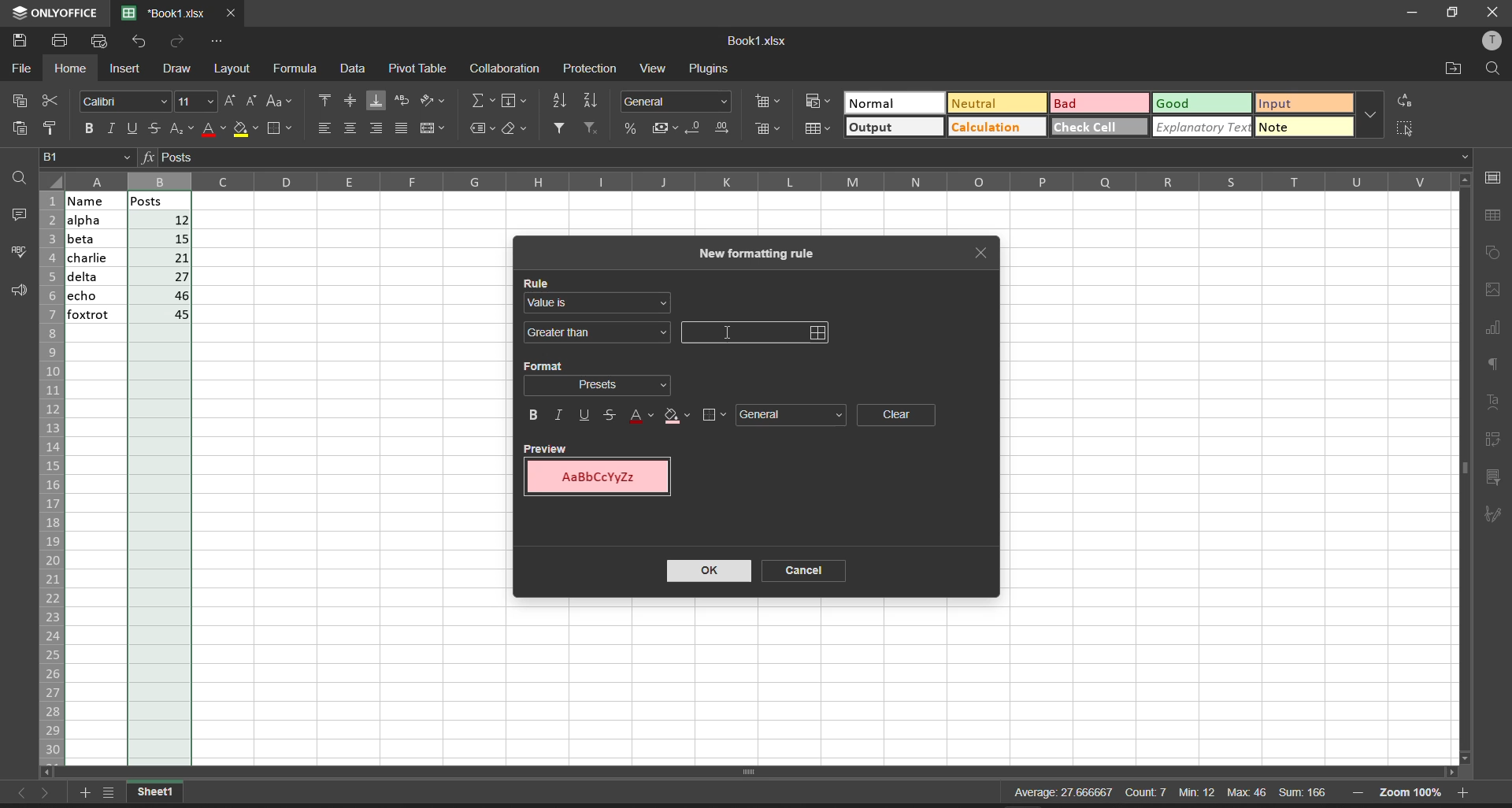 This screenshot has height=808, width=1512. What do you see at coordinates (235, 70) in the screenshot?
I see `layout` at bounding box center [235, 70].